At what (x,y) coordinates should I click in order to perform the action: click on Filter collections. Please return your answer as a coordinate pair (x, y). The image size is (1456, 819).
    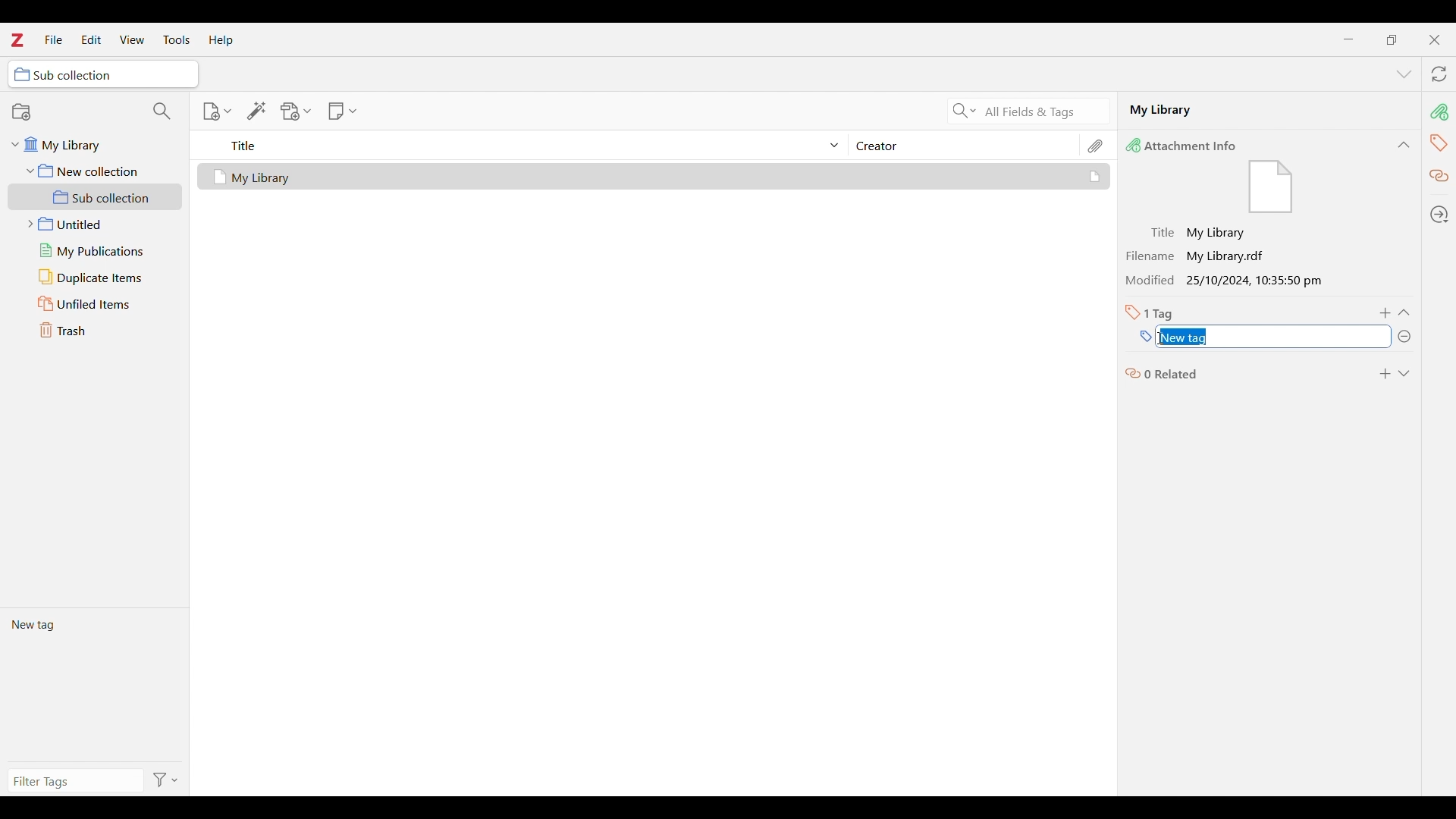
    Looking at the image, I should click on (162, 111).